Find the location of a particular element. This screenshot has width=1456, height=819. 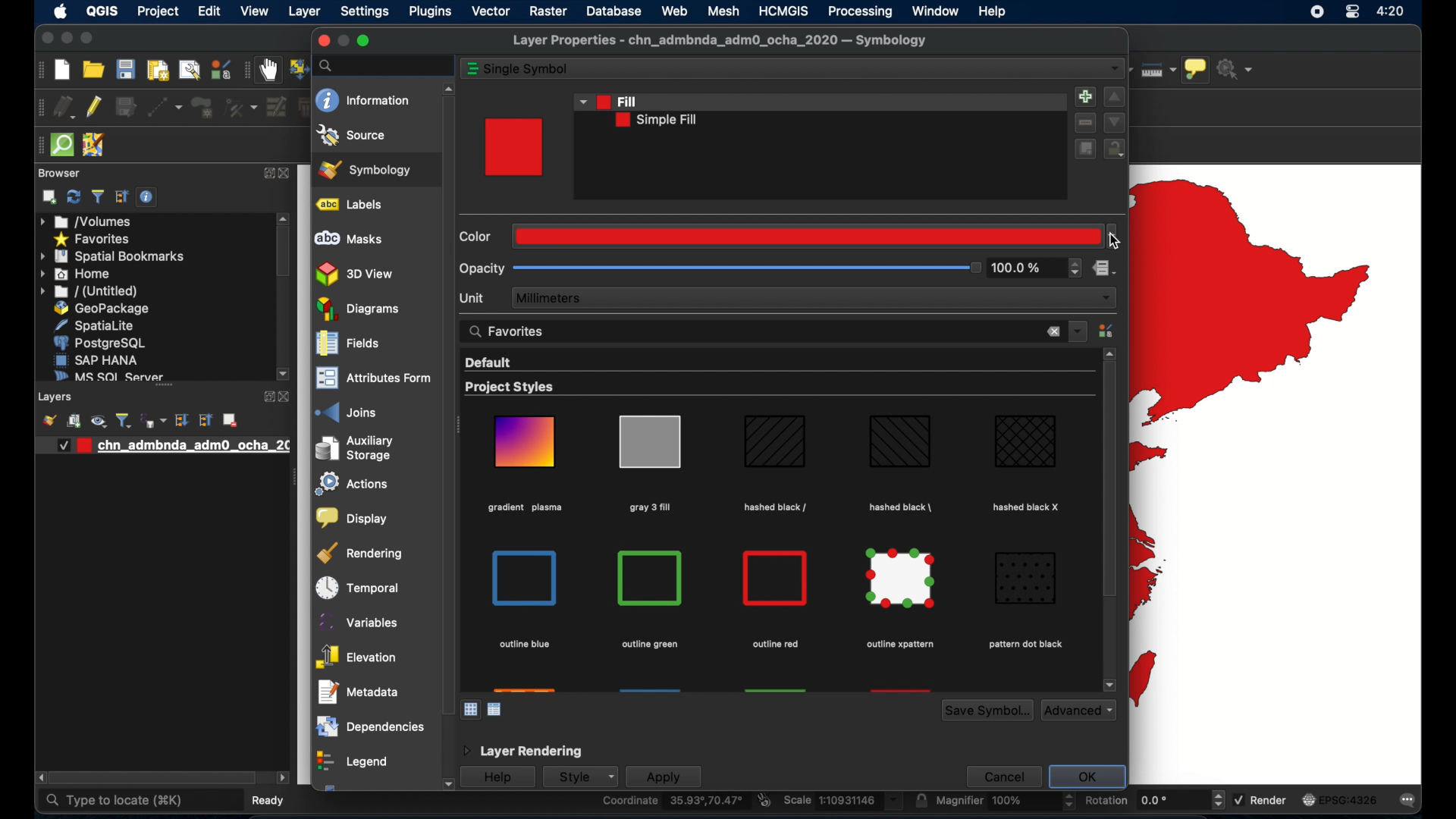

messages is located at coordinates (1410, 800).